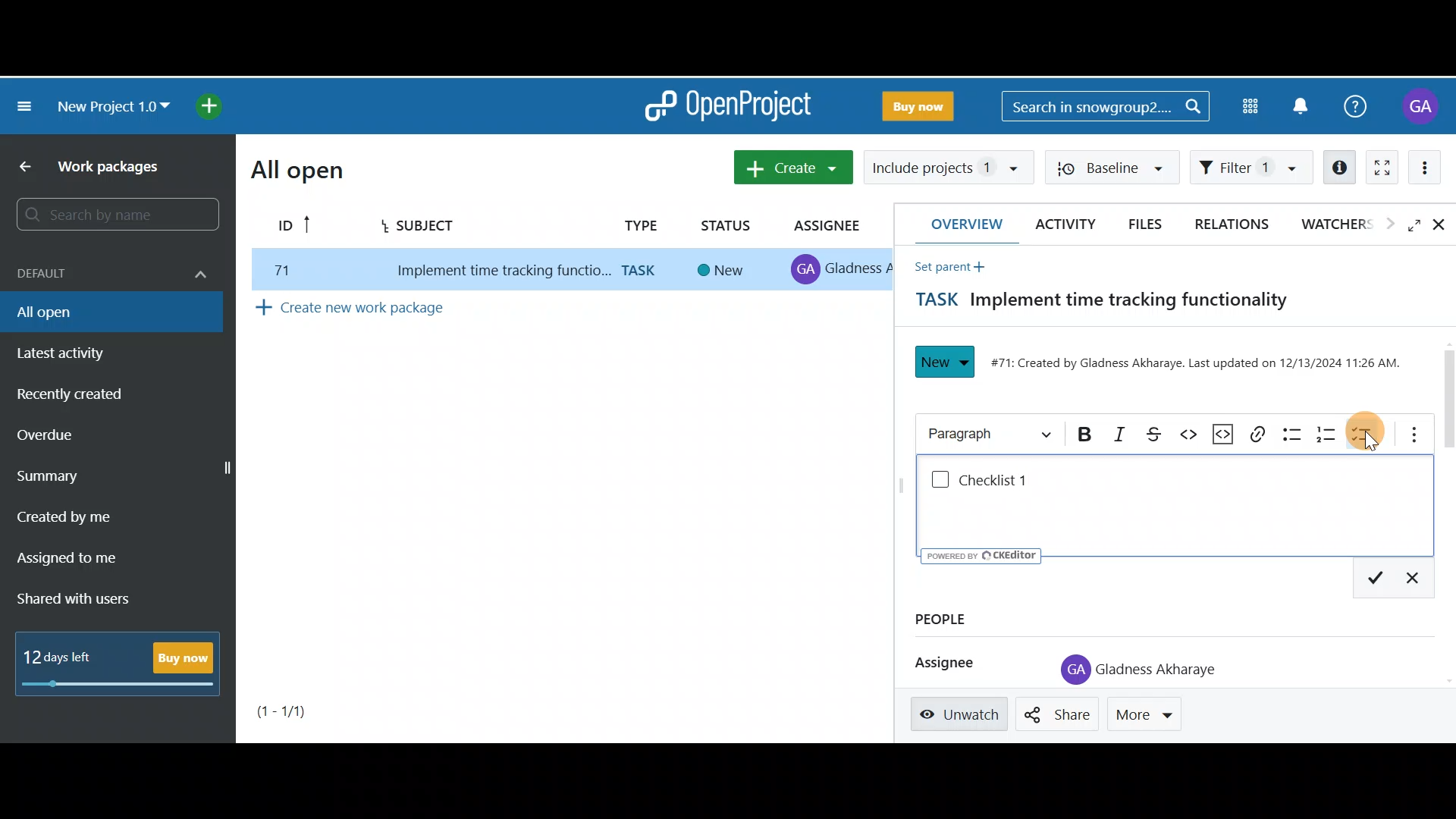 The width and height of the screenshot is (1456, 819). I want to click on To-do list, so click(1366, 431).